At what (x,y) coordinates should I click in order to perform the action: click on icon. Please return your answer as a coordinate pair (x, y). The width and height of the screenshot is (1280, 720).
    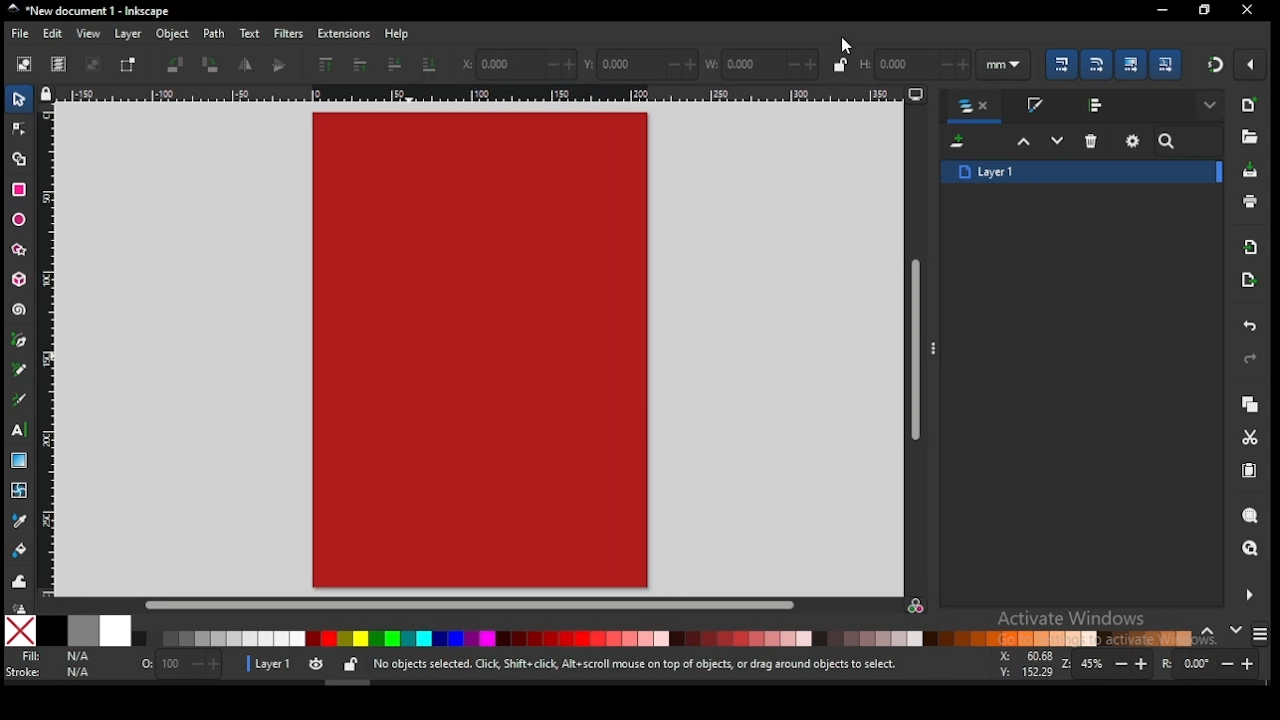
    Looking at the image, I should click on (20, 606).